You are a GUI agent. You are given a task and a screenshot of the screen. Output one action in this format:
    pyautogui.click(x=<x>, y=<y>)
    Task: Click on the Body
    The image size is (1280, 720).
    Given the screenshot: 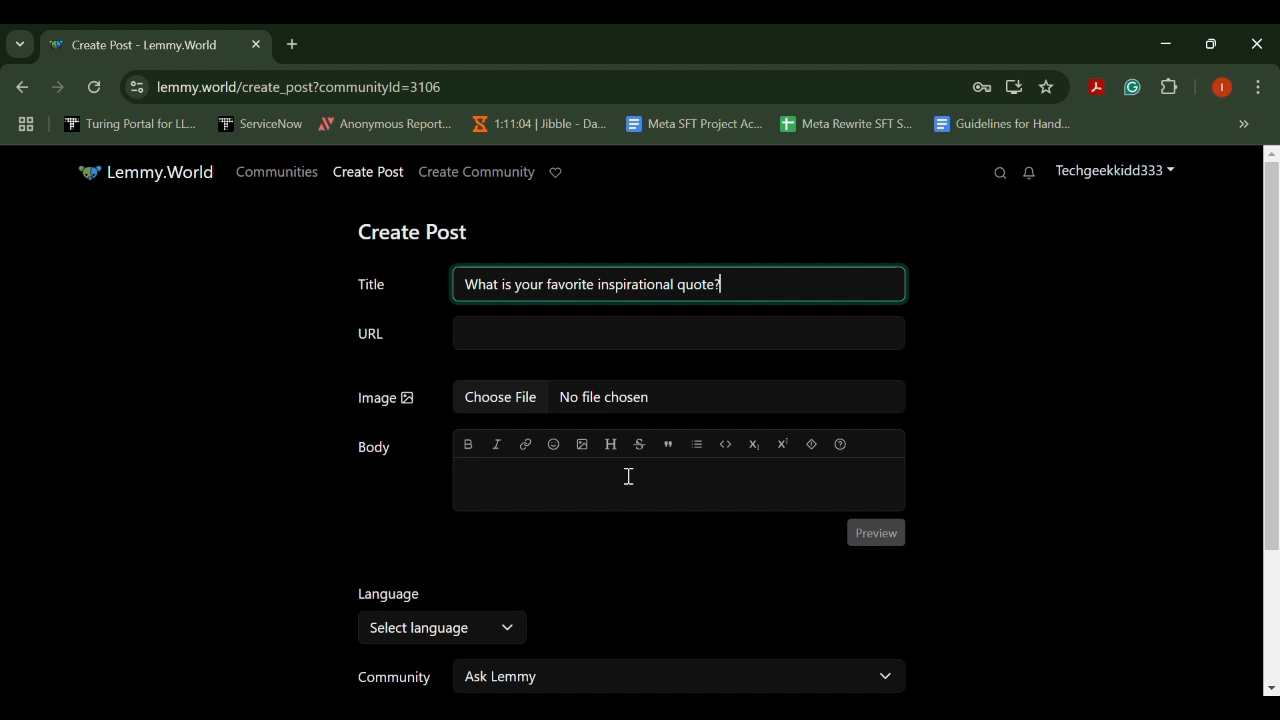 What is the action you would take?
    pyautogui.click(x=377, y=448)
    